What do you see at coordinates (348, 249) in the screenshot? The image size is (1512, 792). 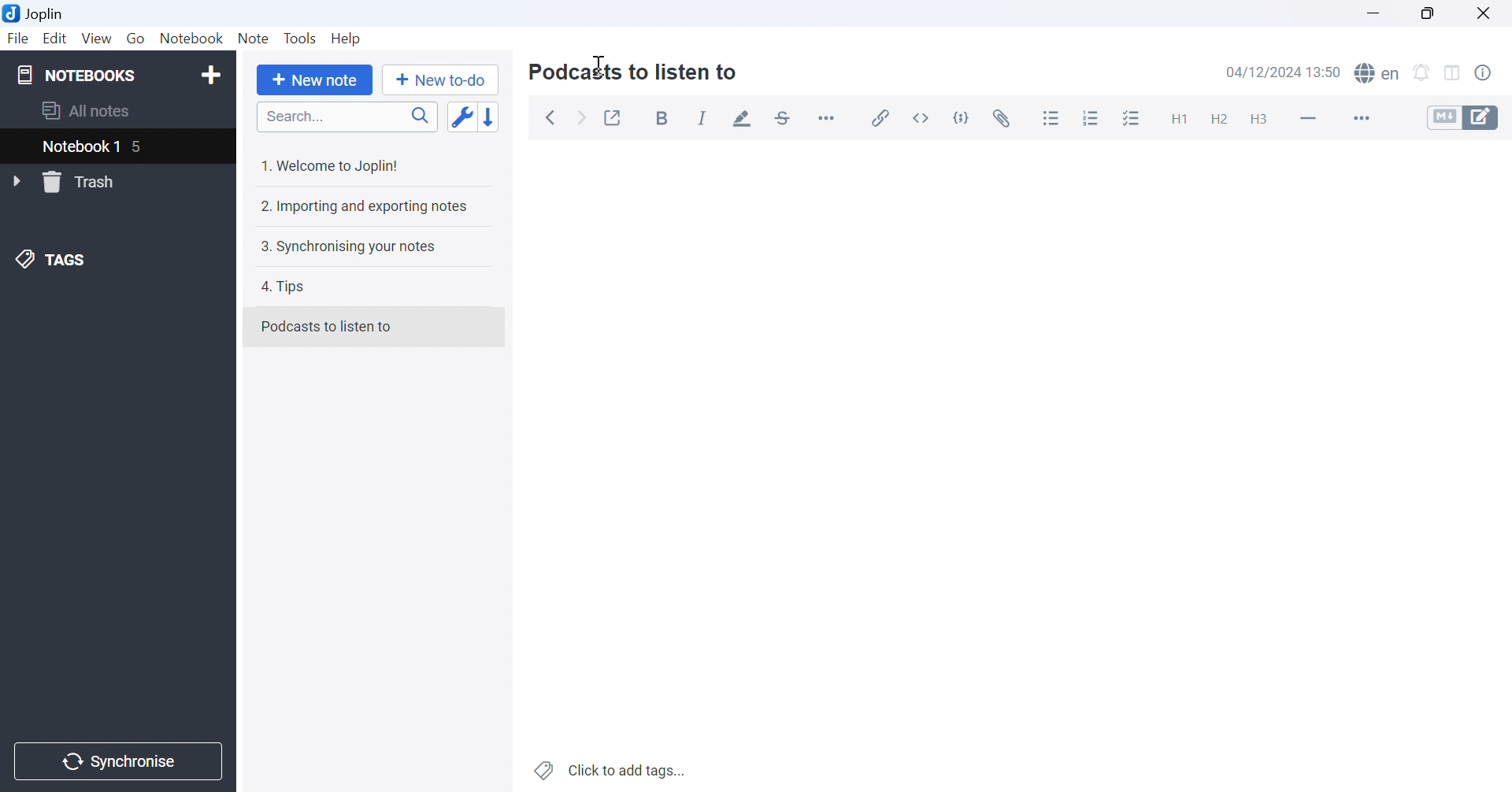 I see `3. Synchronising your notes` at bounding box center [348, 249].